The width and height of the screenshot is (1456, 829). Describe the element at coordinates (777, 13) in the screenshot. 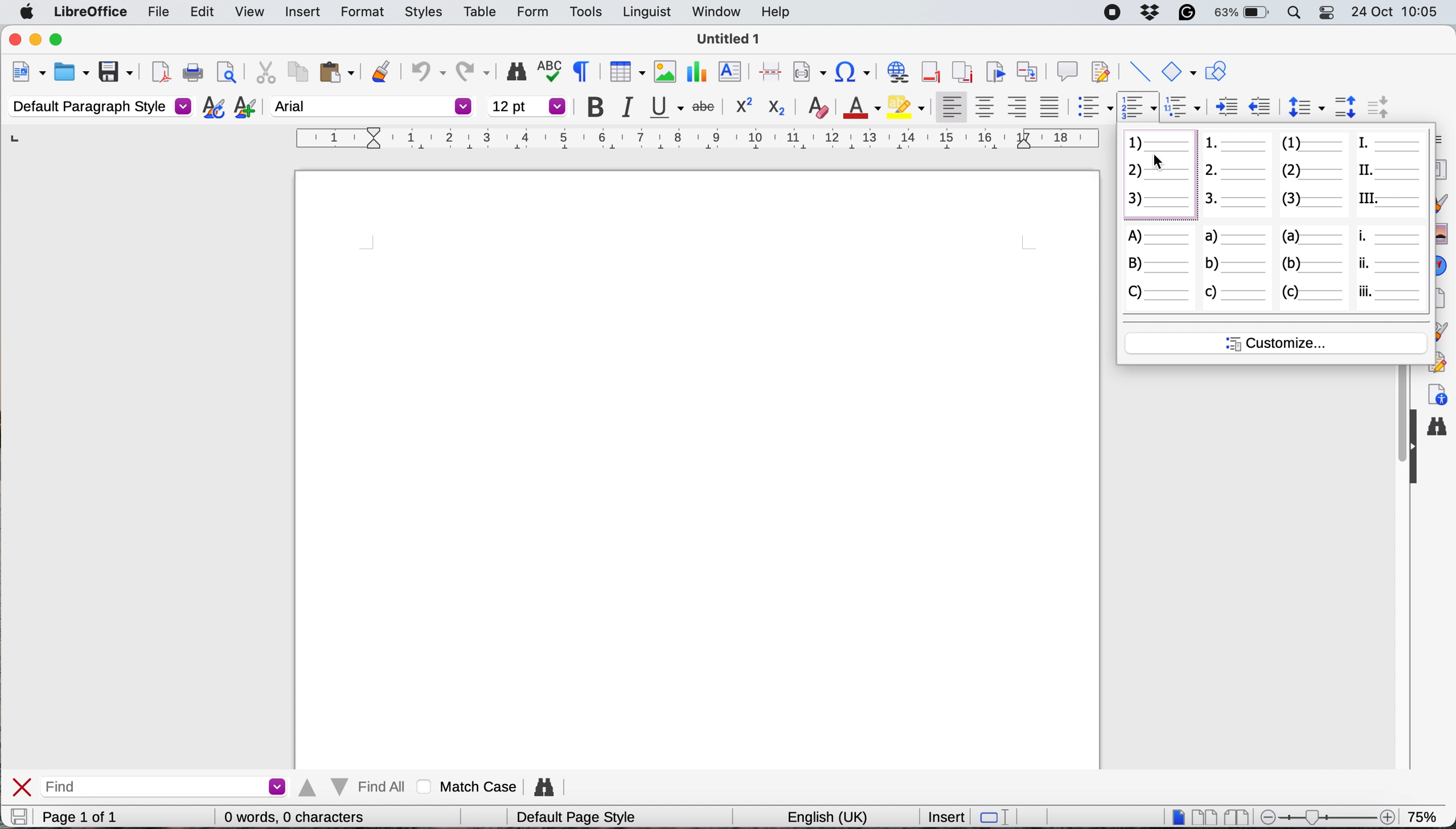

I see `help` at that location.